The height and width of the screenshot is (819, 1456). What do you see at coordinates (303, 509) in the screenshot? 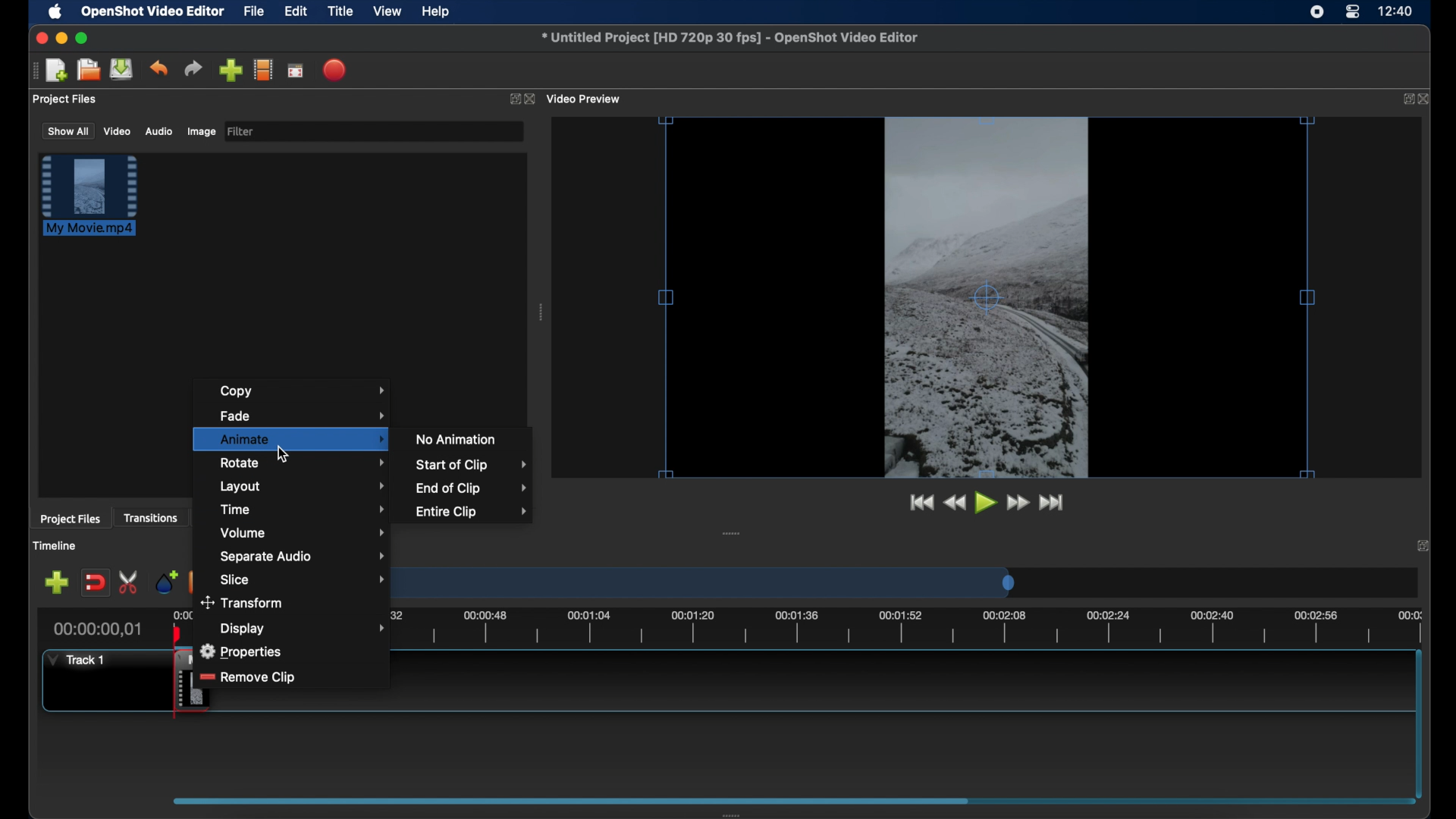
I see `time menu` at bounding box center [303, 509].